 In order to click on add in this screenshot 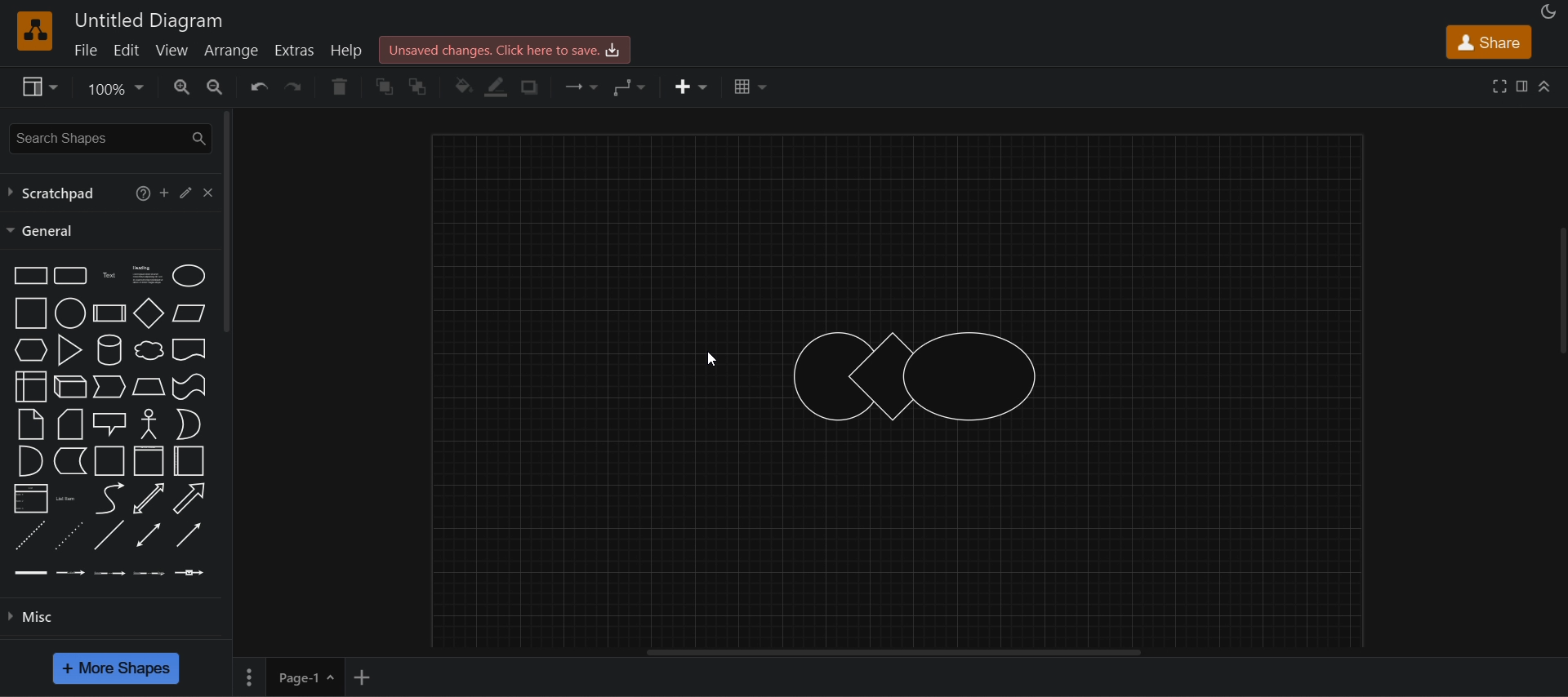, I will do `click(164, 192)`.